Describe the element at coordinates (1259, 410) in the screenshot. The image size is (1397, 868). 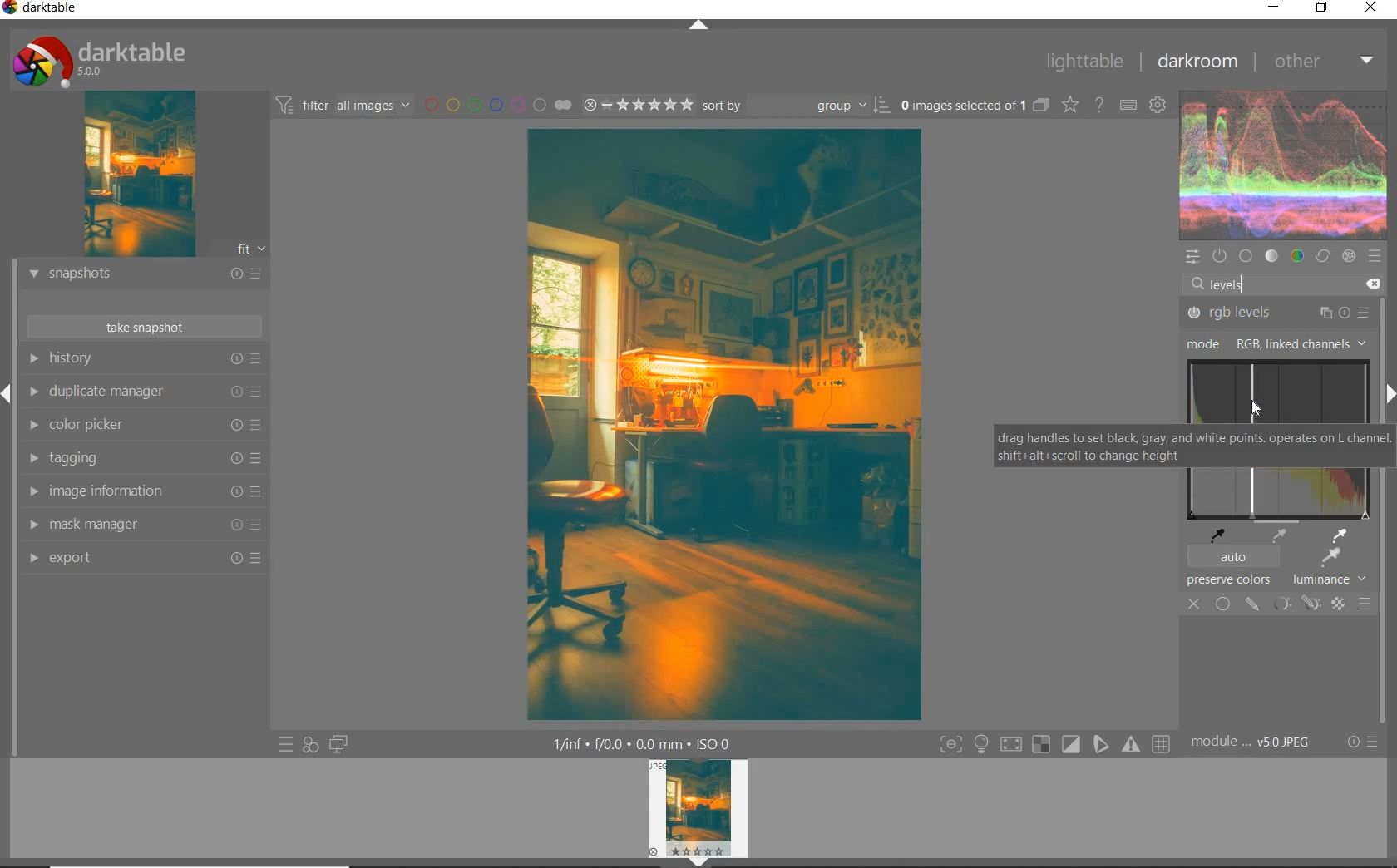
I see `cursor position` at that location.